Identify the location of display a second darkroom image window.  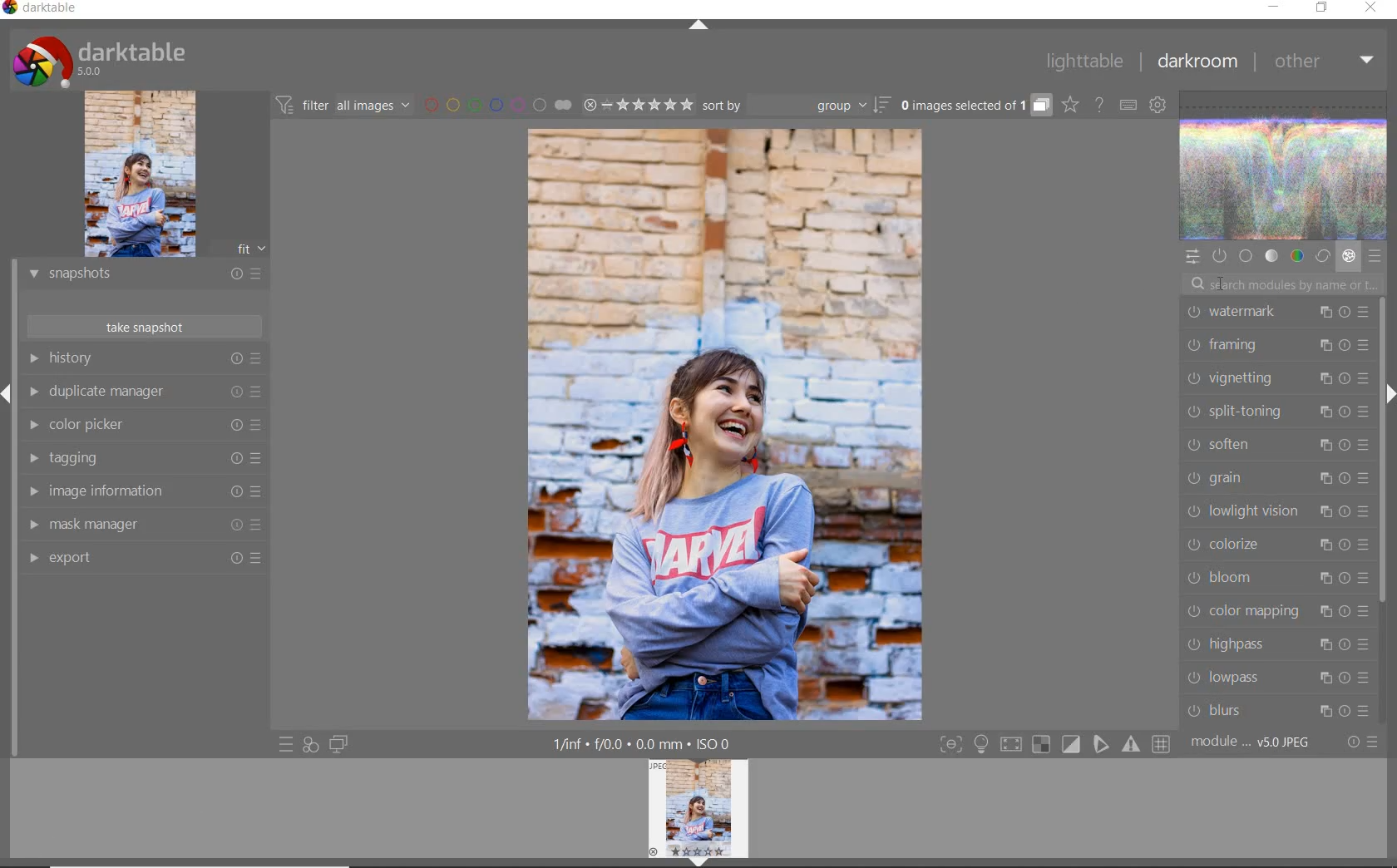
(339, 743).